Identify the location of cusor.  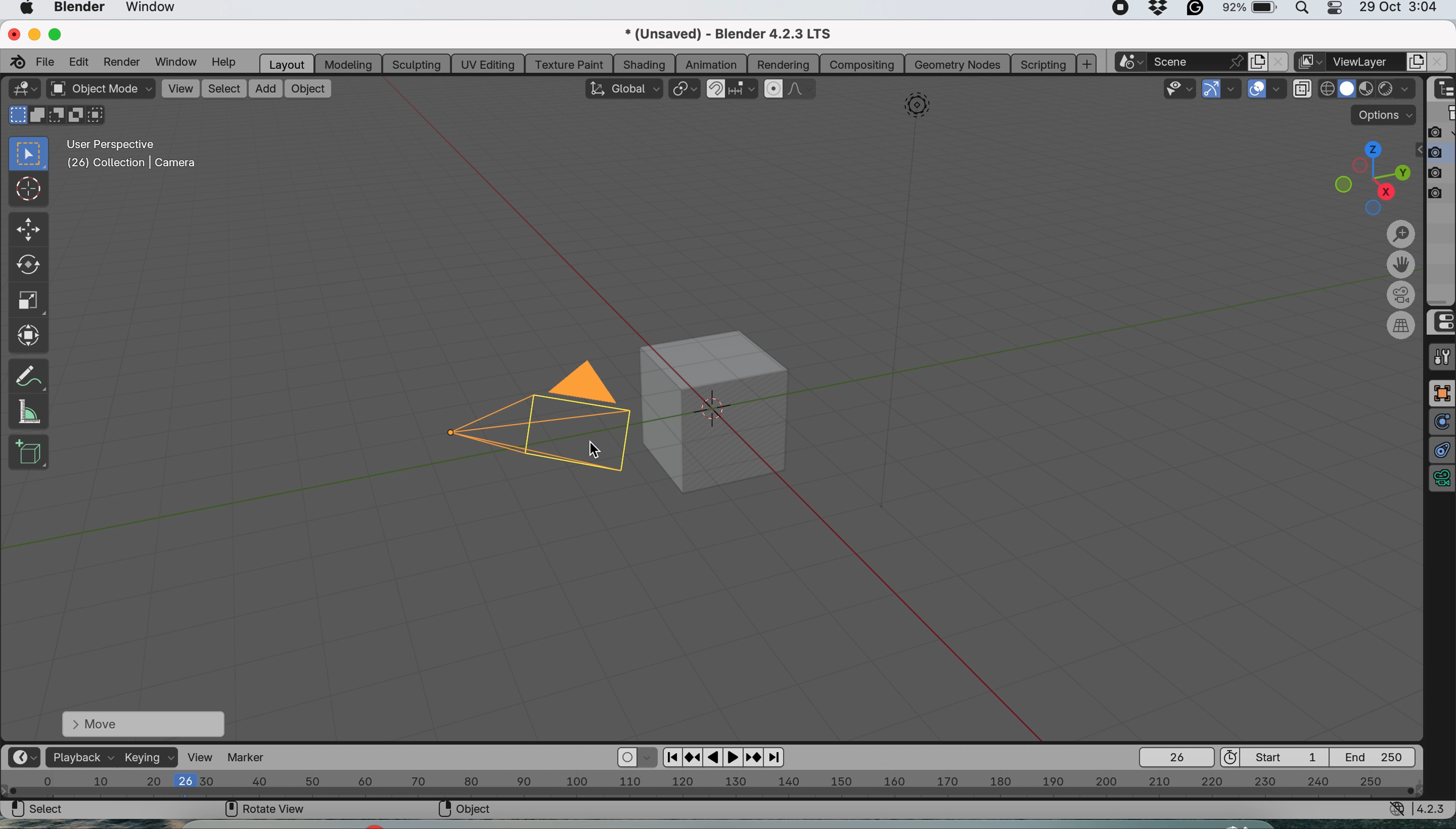
(588, 451).